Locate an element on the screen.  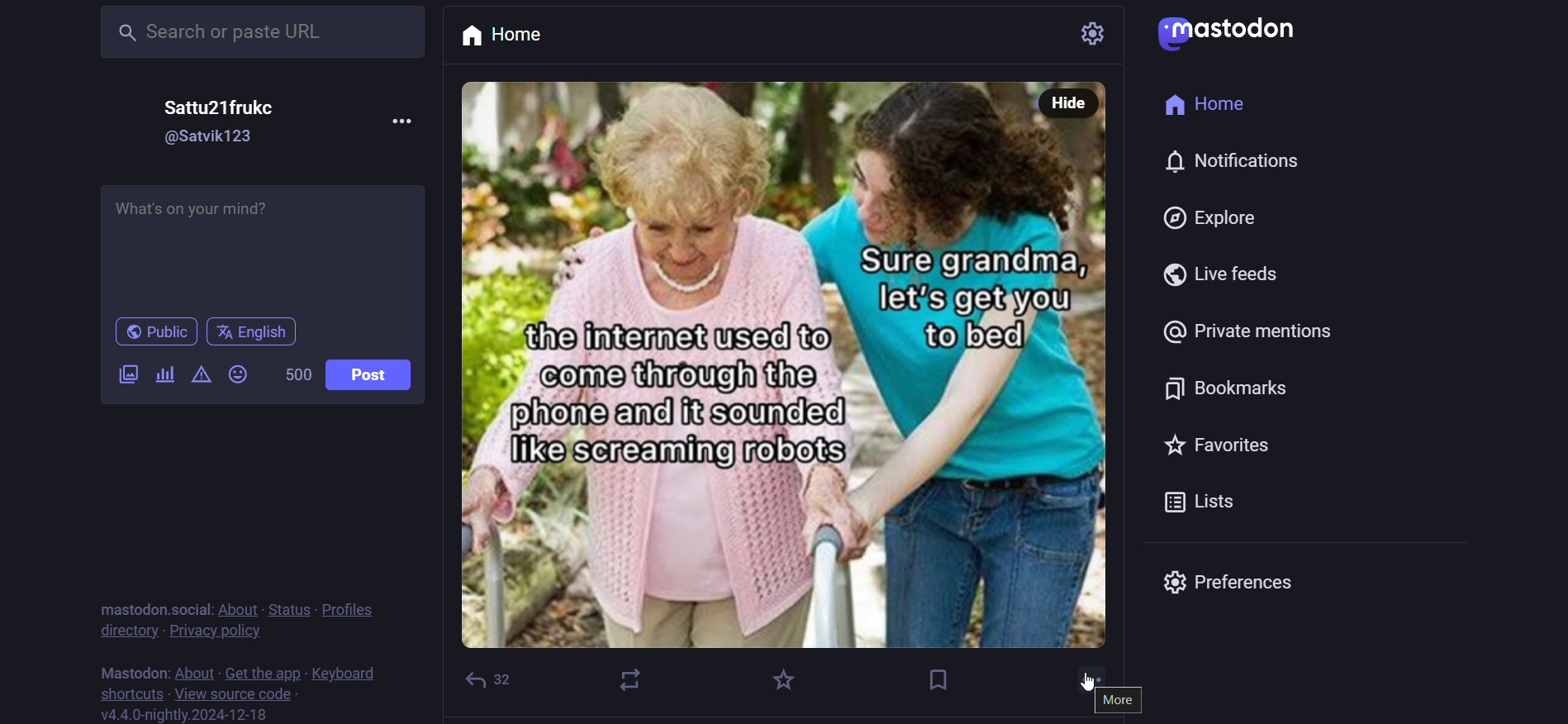
home is located at coordinates (530, 36).